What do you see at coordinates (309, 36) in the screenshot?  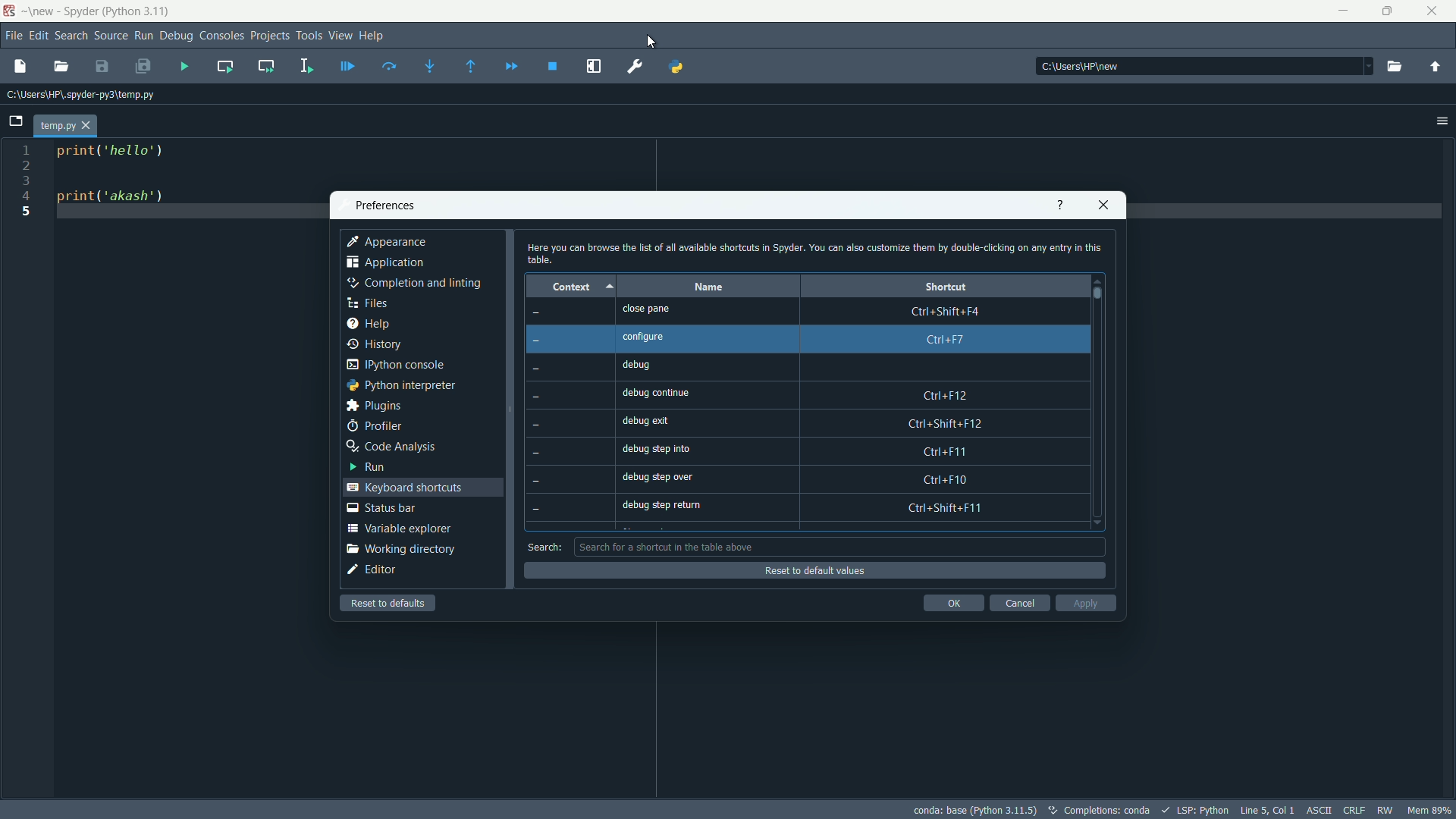 I see `tools menu` at bounding box center [309, 36].